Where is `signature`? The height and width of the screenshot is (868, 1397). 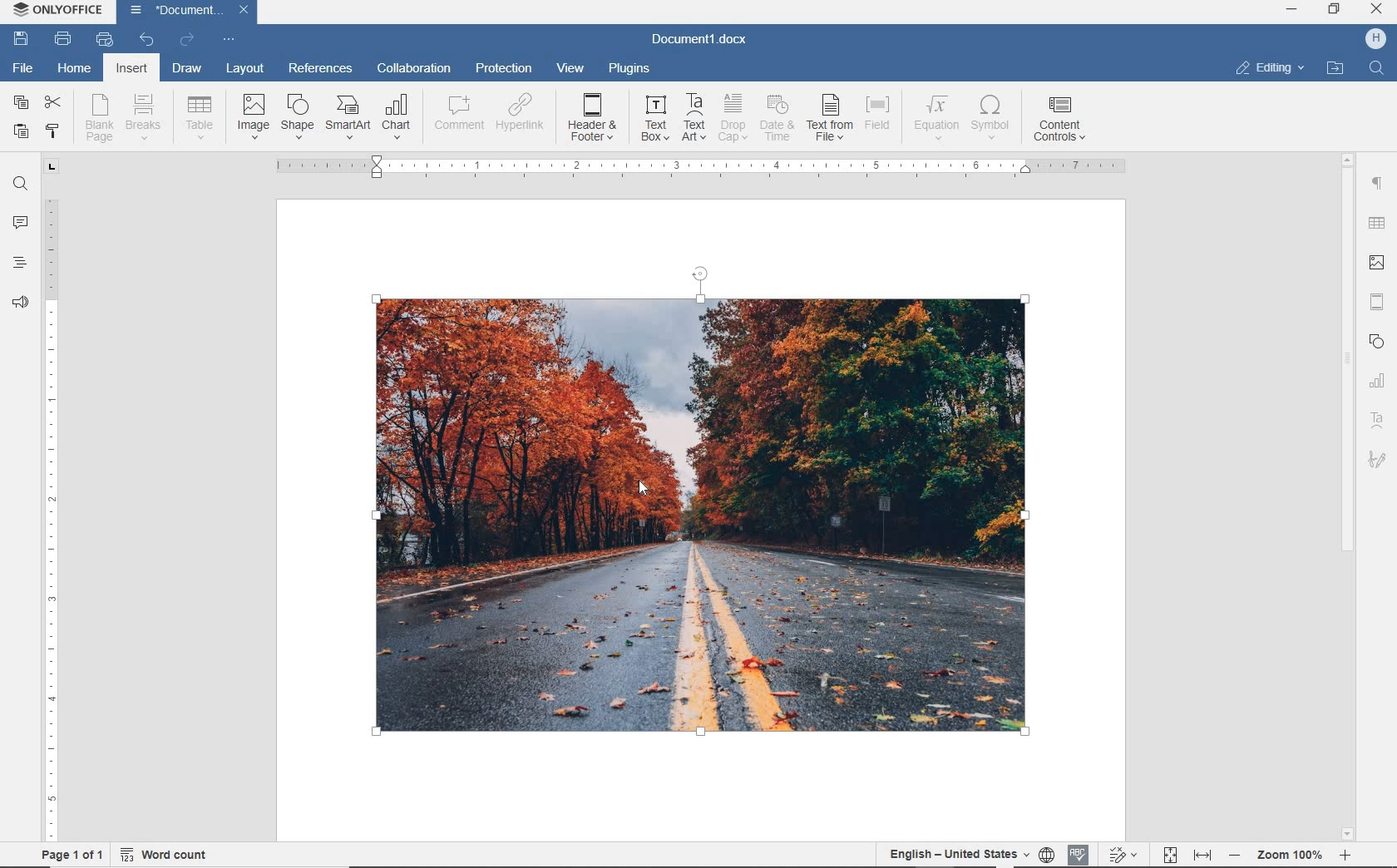 signature is located at coordinates (1380, 461).